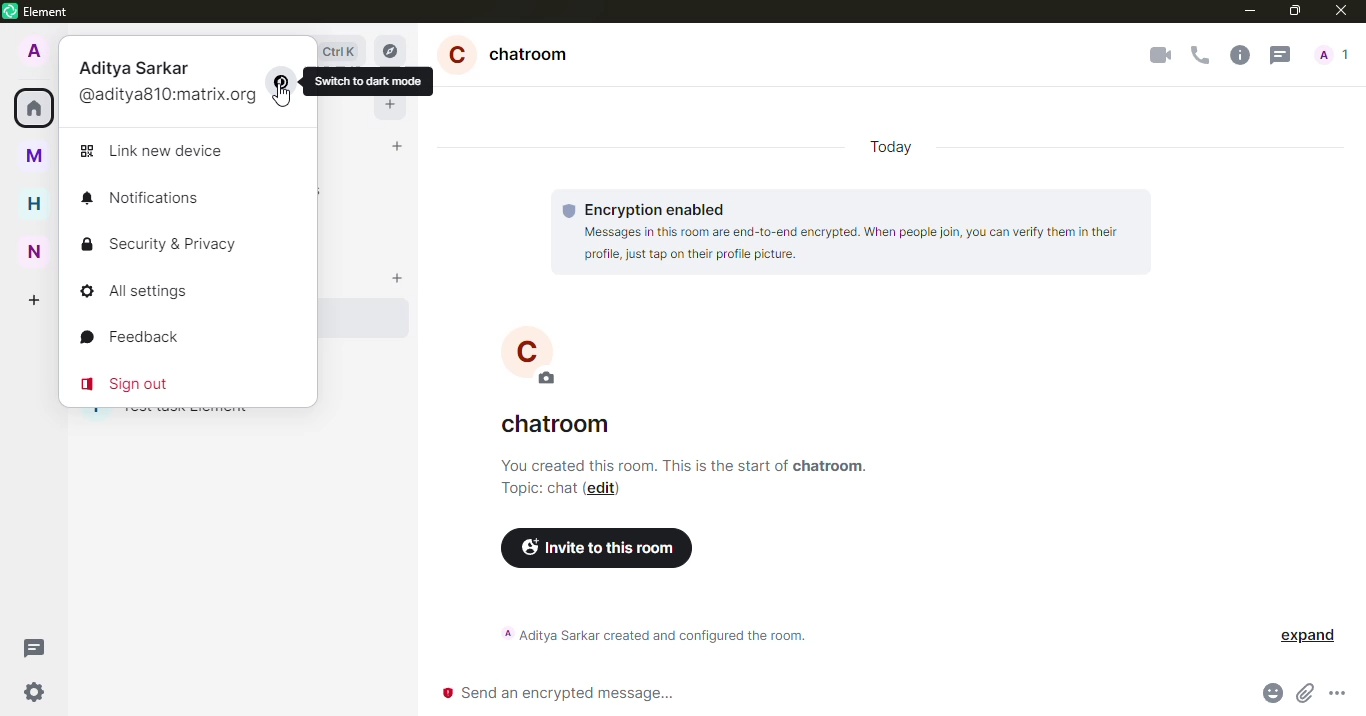 This screenshot has width=1366, height=716. What do you see at coordinates (1268, 695) in the screenshot?
I see `emoji` at bounding box center [1268, 695].